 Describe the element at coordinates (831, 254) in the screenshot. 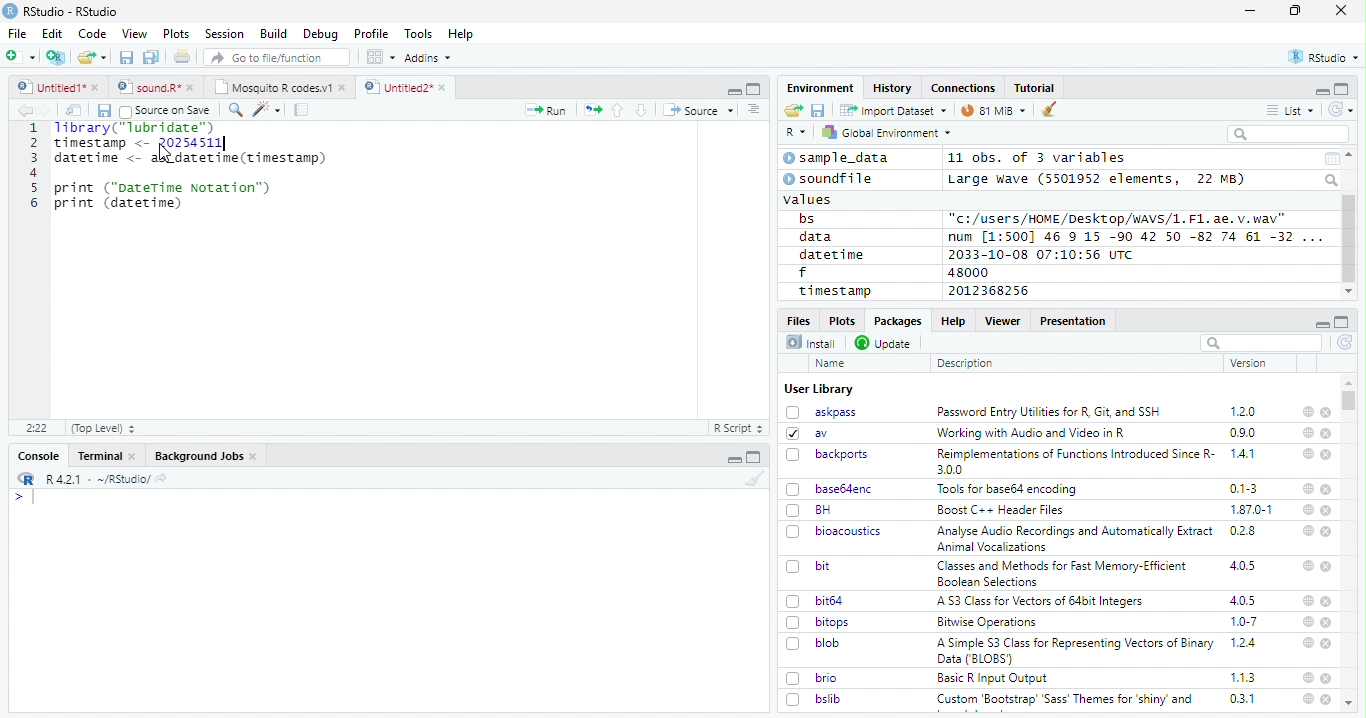

I see `datetime` at that location.